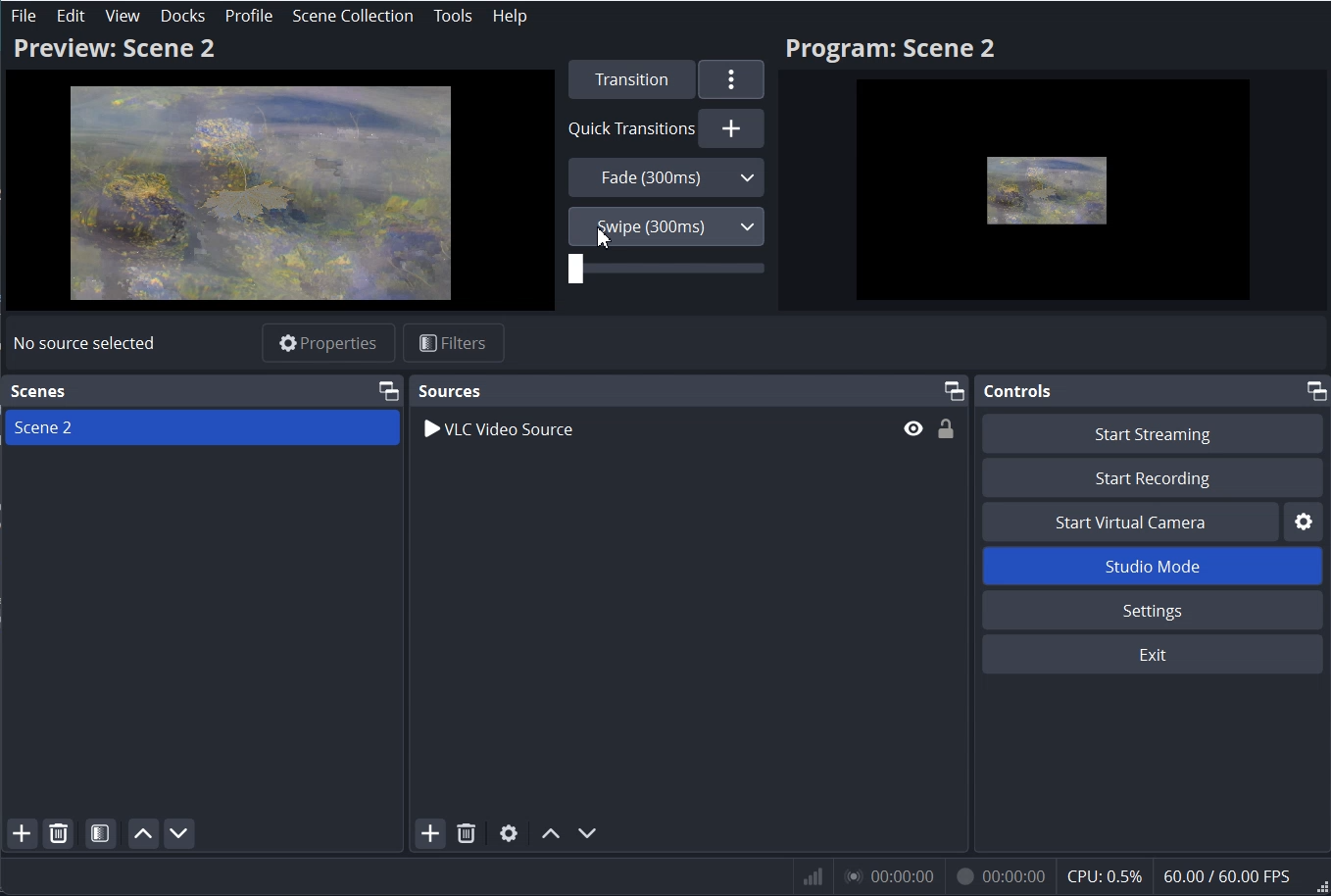 The width and height of the screenshot is (1331, 896). What do you see at coordinates (946, 428) in the screenshot?
I see `Lock` at bounding box center [946, 428].